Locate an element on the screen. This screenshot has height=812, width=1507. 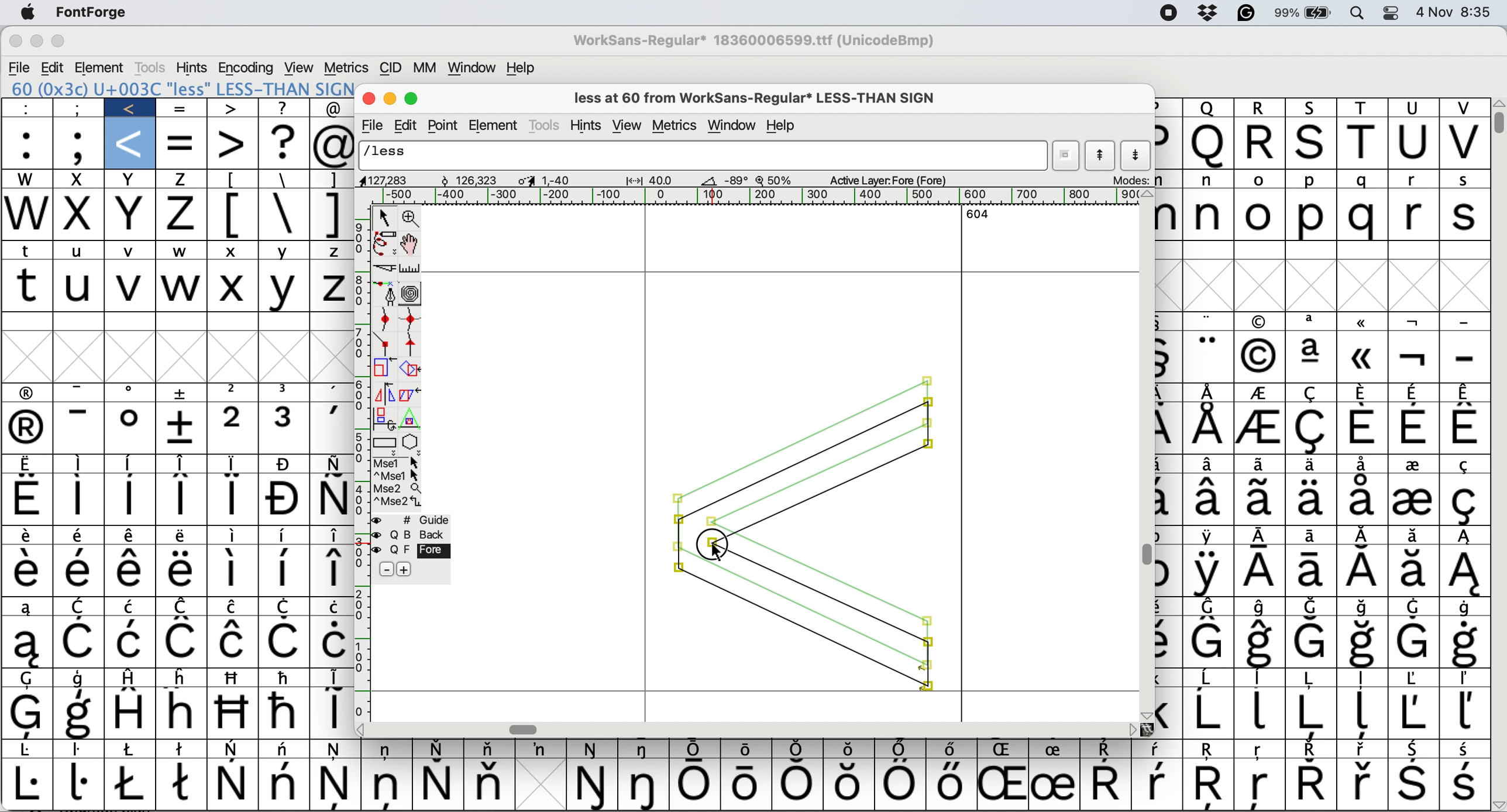
- is located at coordinates (82, 392).